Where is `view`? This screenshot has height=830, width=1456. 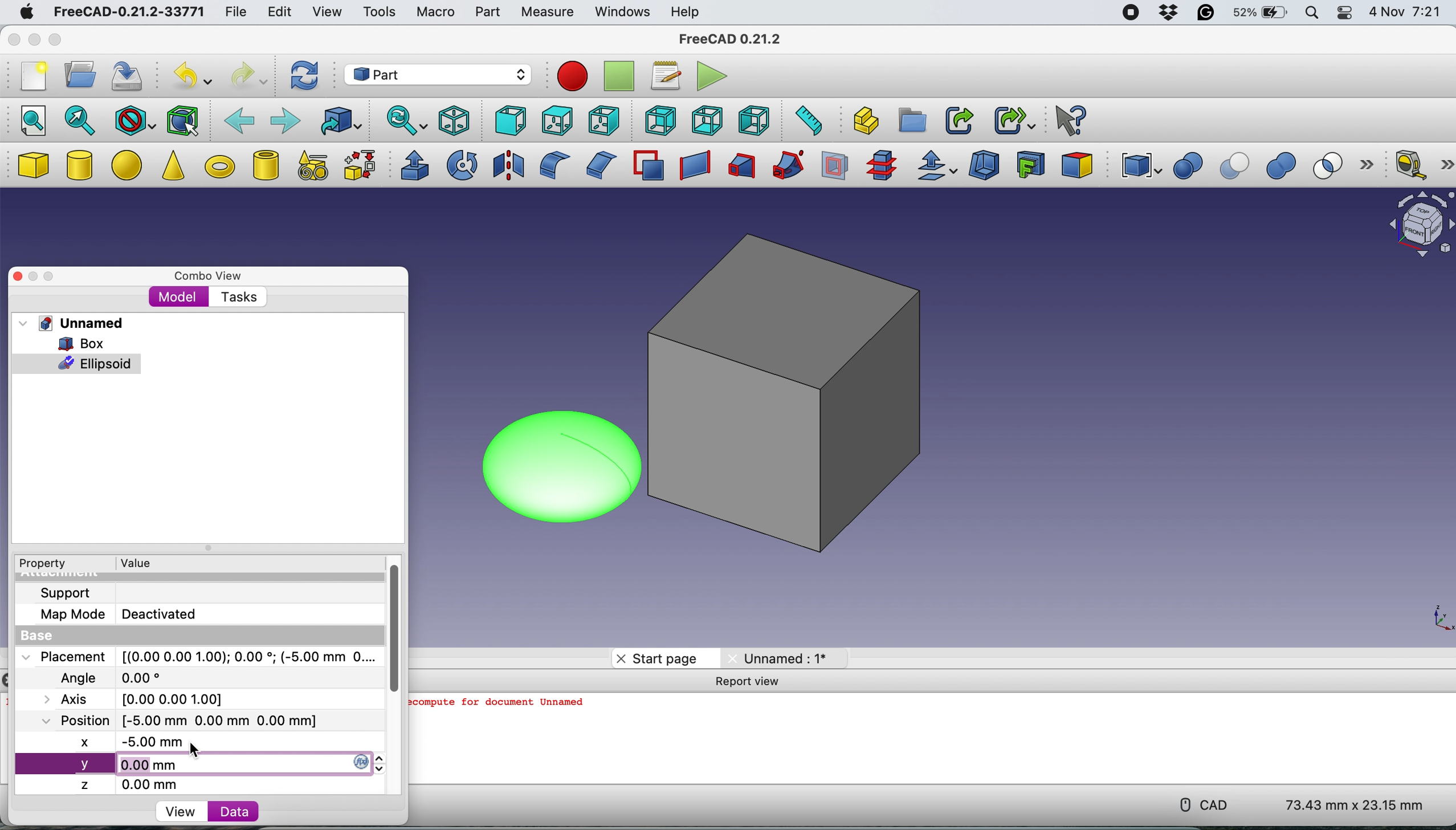
view is located at coordinates (184, 811).